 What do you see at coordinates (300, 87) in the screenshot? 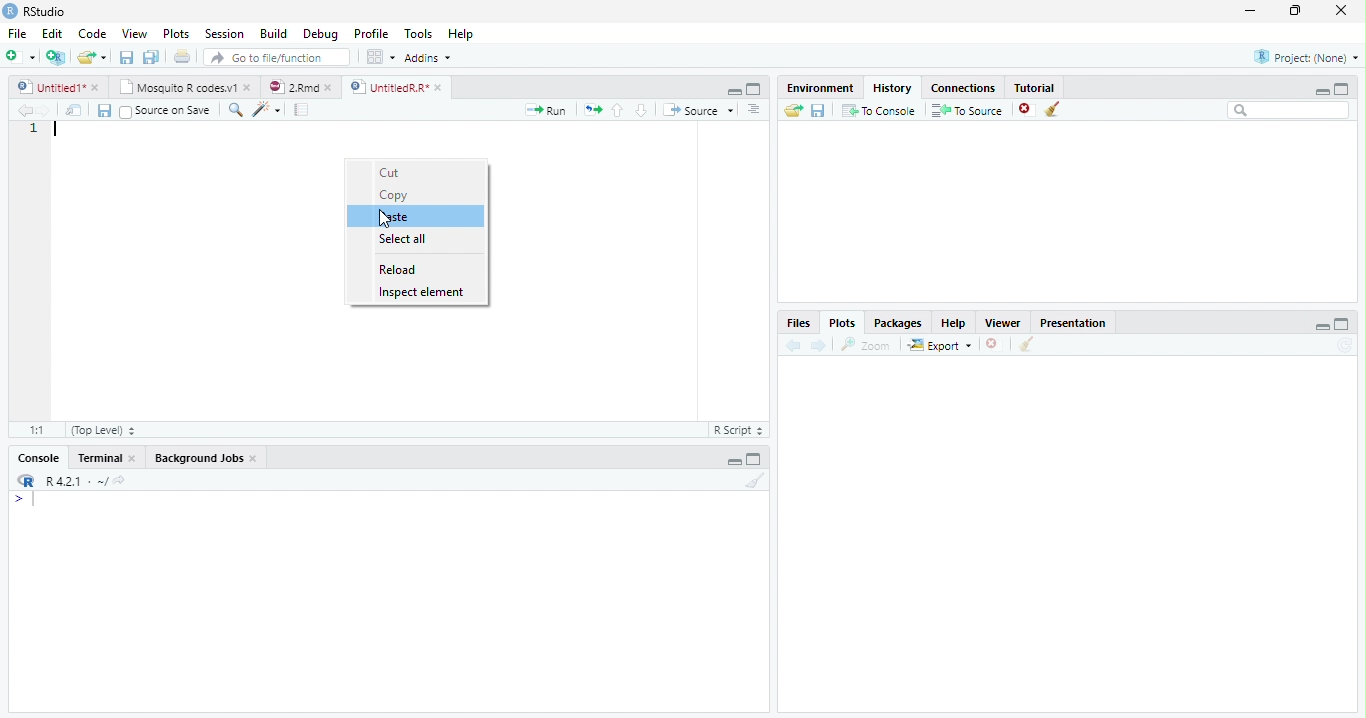
I see `2.RMD` at bounding box center [300, 87].